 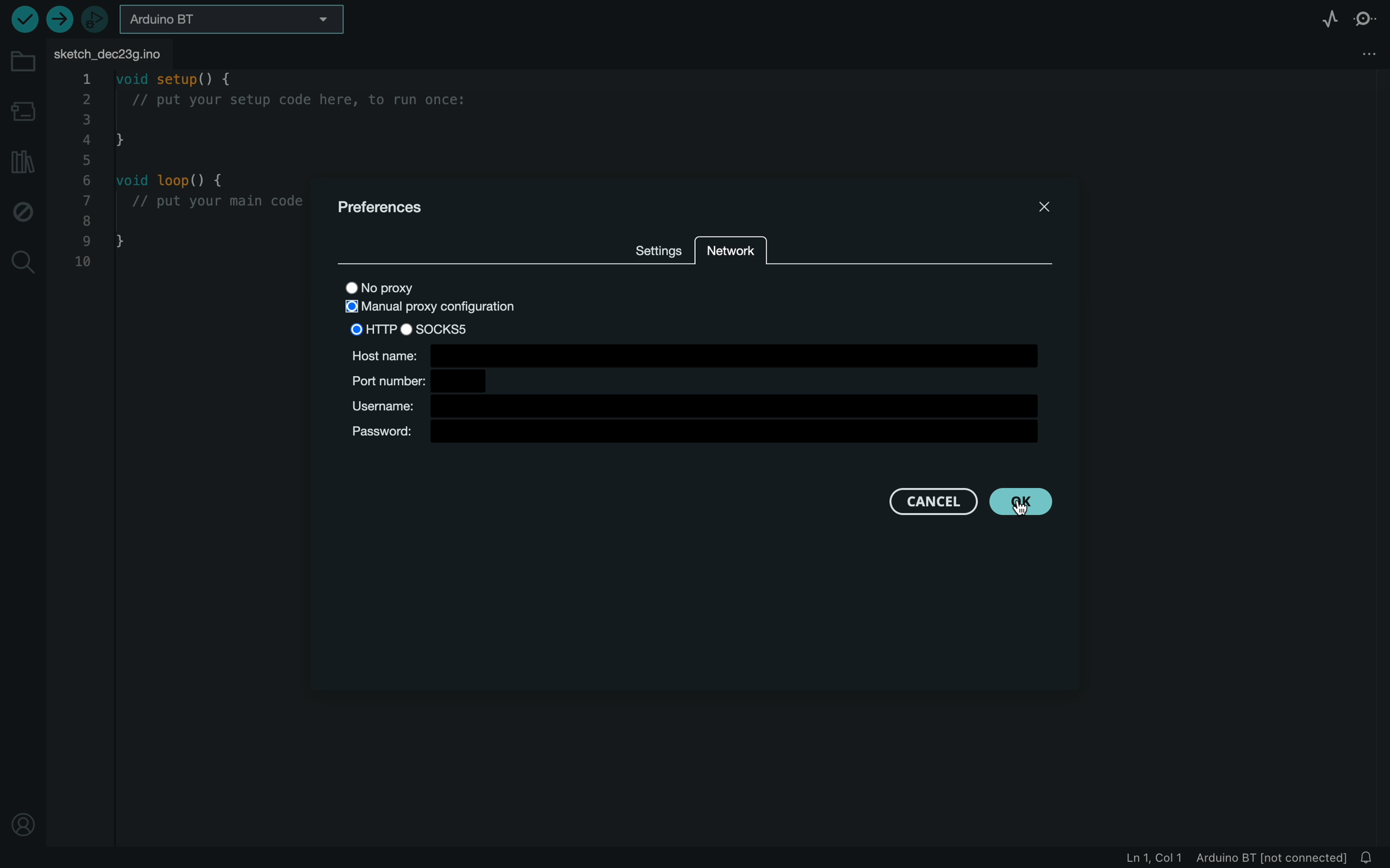 What do you see at coordinates (1349, 51) in the screenshot?
I see `file setting` at bounding box center [1349, 51].